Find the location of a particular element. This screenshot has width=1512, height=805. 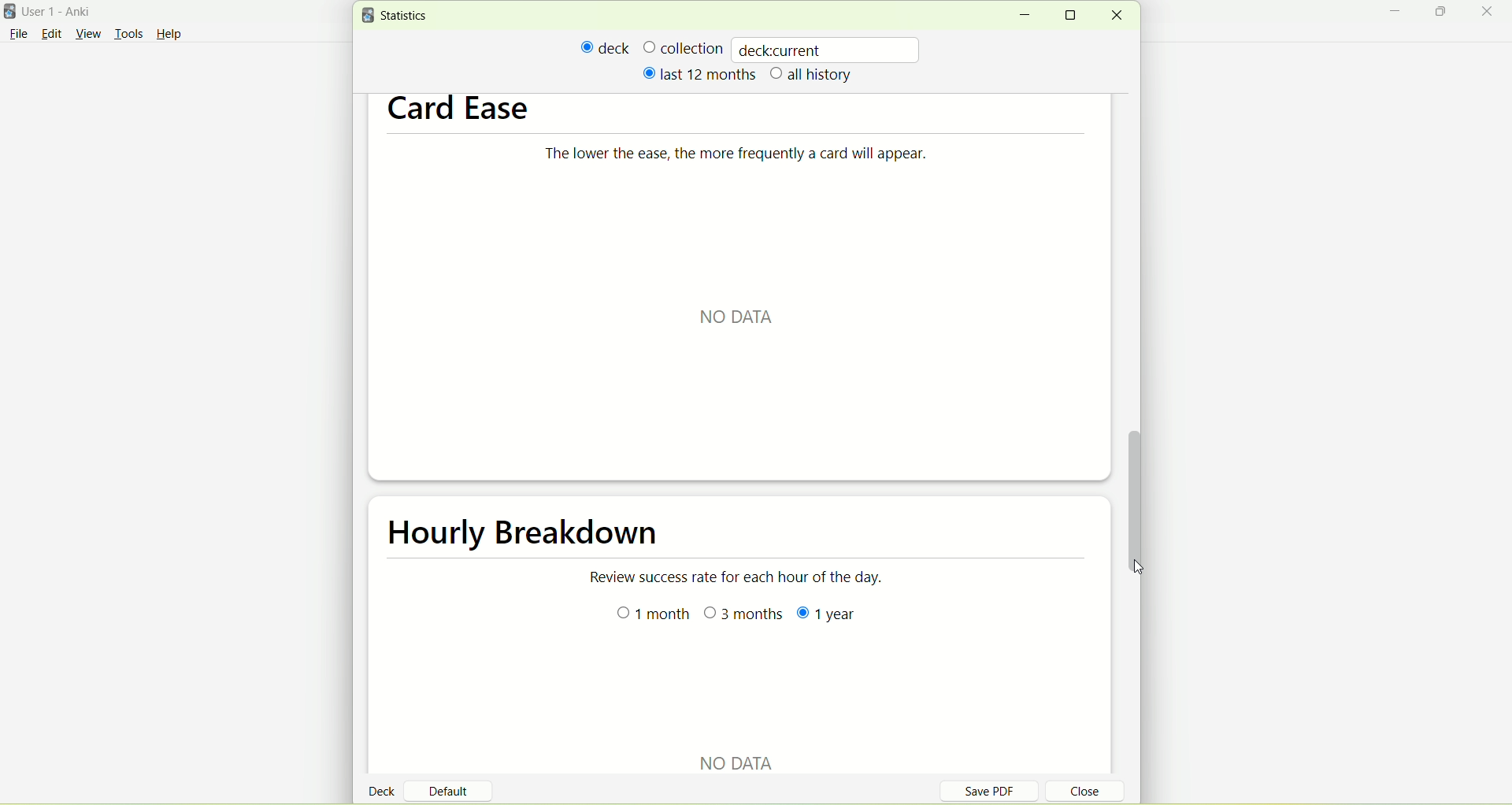

all history is located at coordinates (812, 76).